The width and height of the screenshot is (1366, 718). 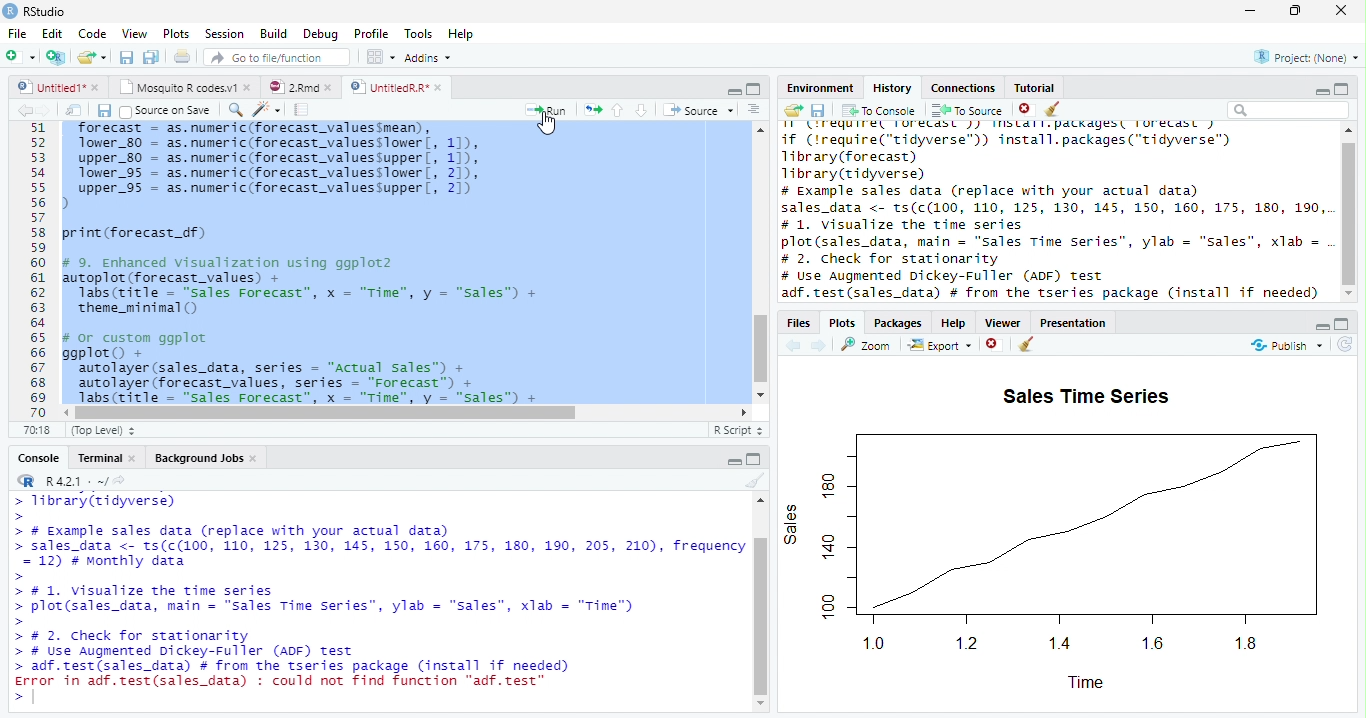 I want to click on Print, so click(x=182, y=57).